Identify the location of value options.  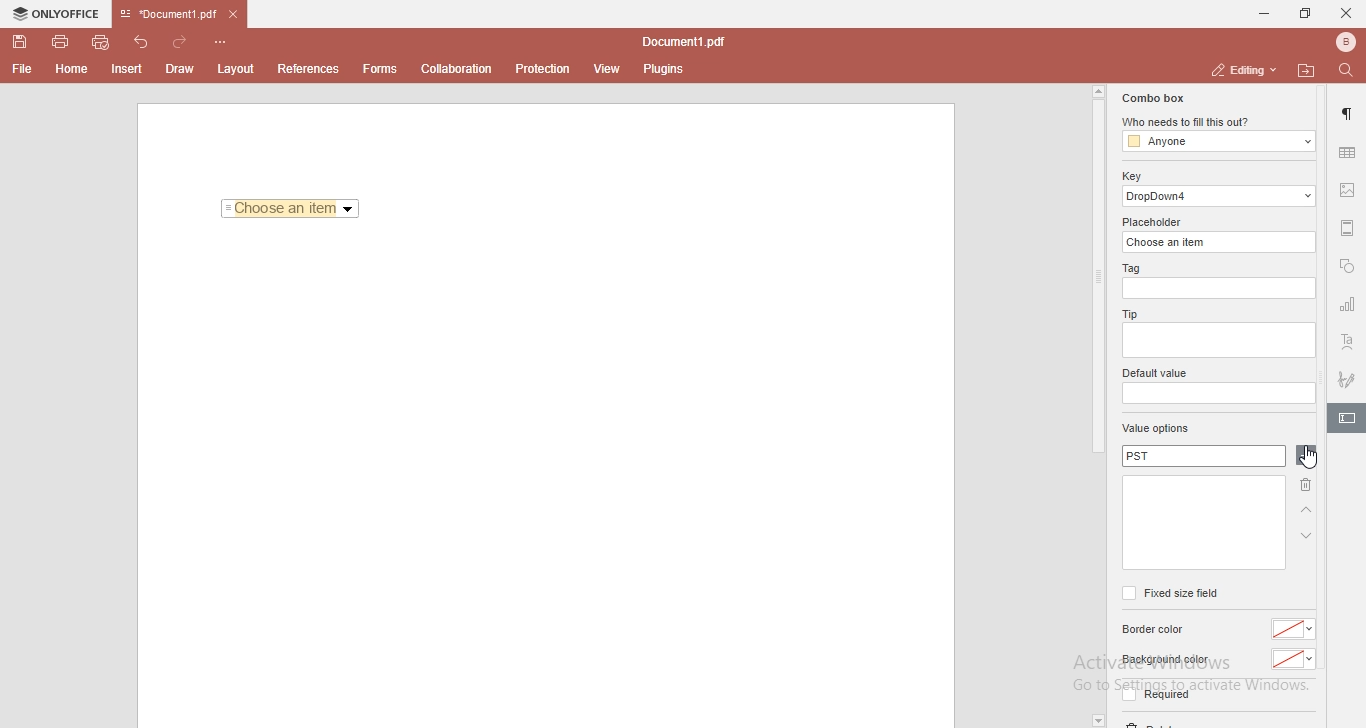
(1156, 430).